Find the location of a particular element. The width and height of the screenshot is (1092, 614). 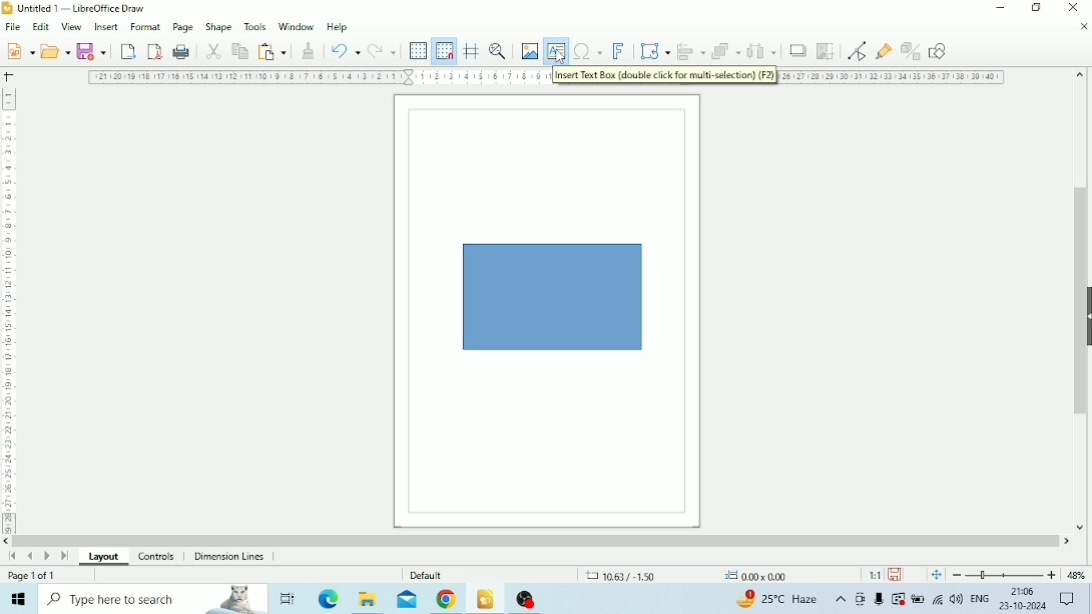

Scroll to previous page is located at coordinates (31, 556).